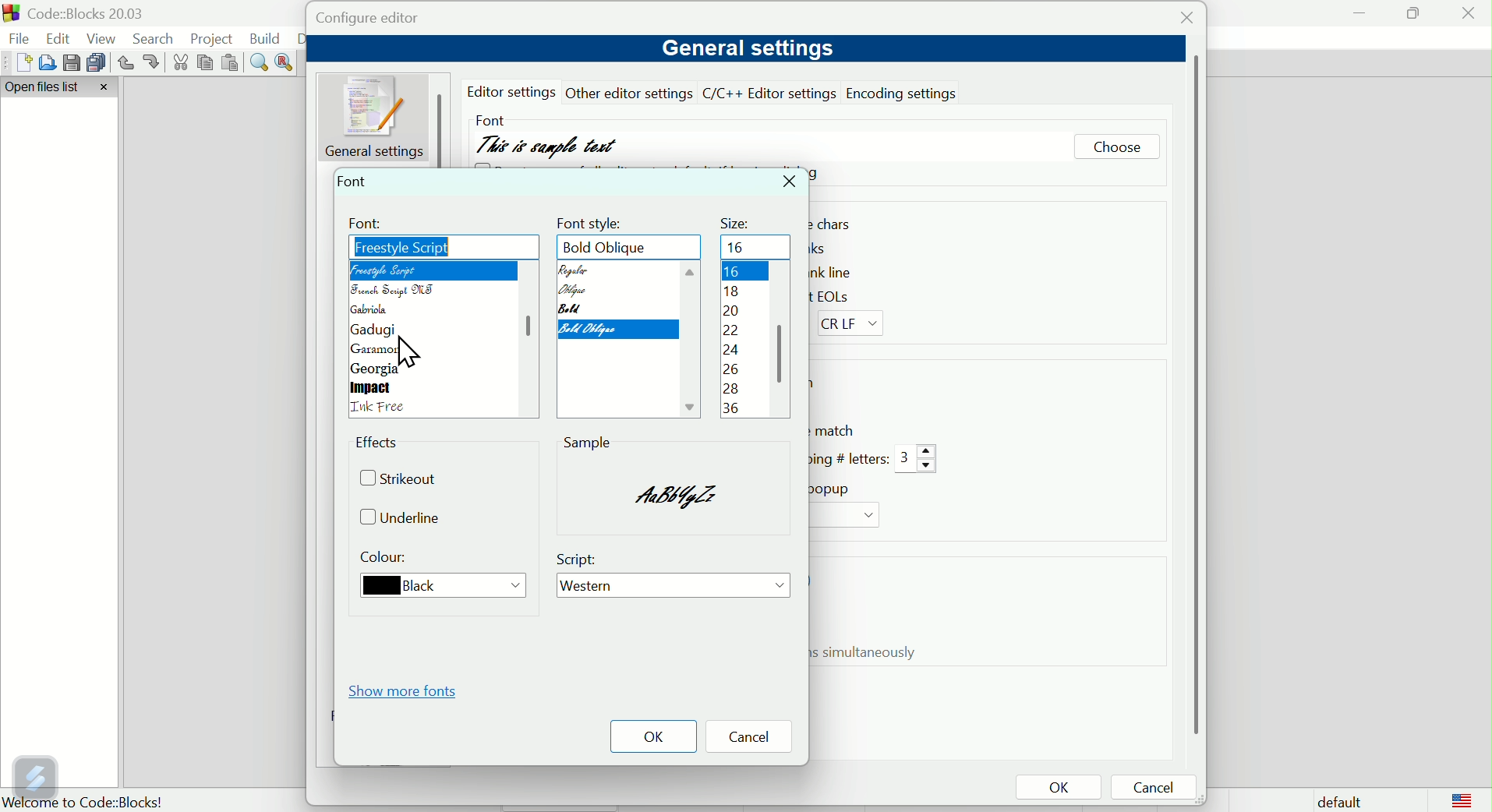  I want to click on Western, so click(676, 587).